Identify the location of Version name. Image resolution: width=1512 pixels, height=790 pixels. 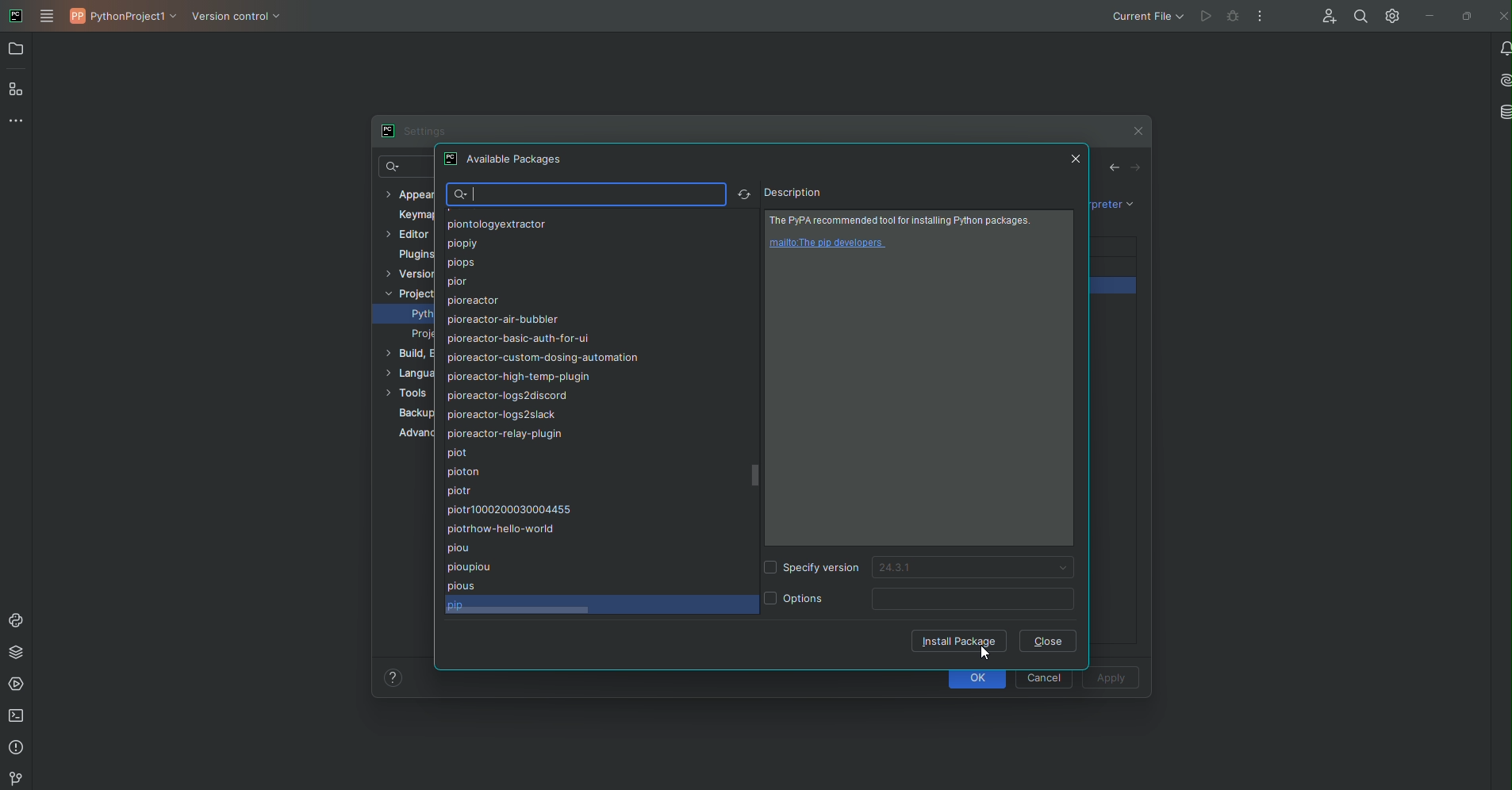
(973, 566).